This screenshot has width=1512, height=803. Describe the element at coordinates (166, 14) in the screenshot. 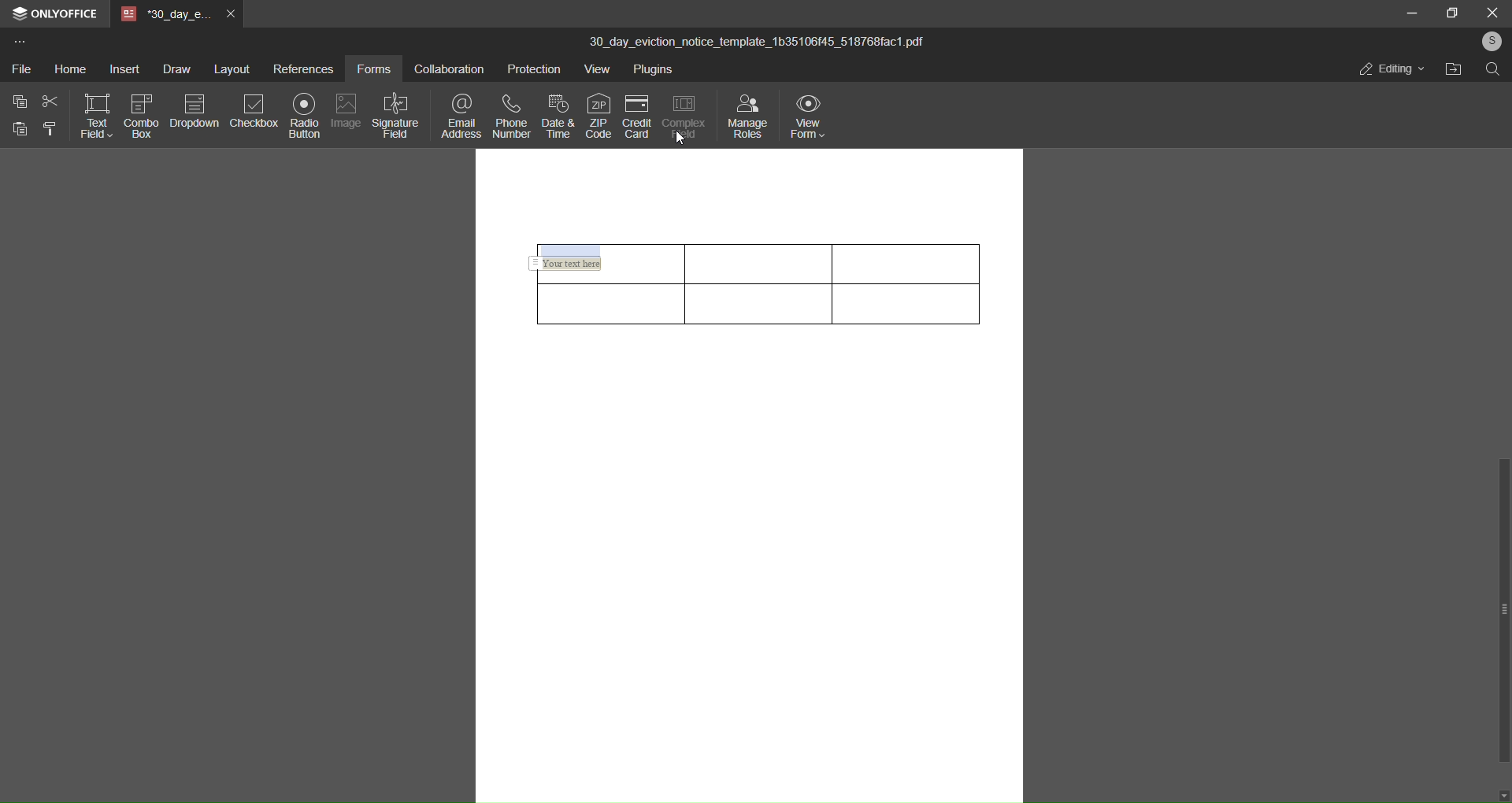

I see `tab name` at that location.